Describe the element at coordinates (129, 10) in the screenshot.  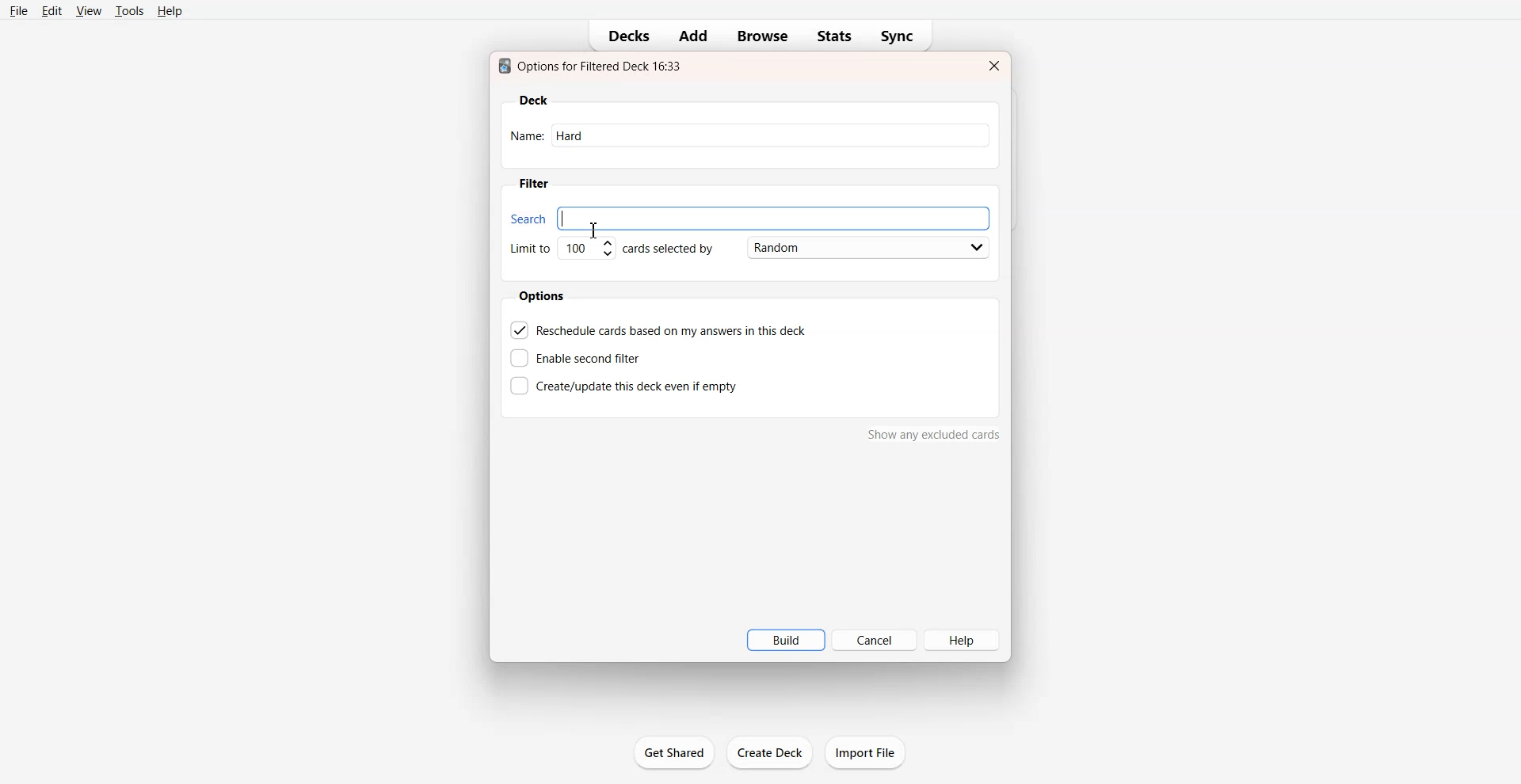
I see `Tools` at that location.